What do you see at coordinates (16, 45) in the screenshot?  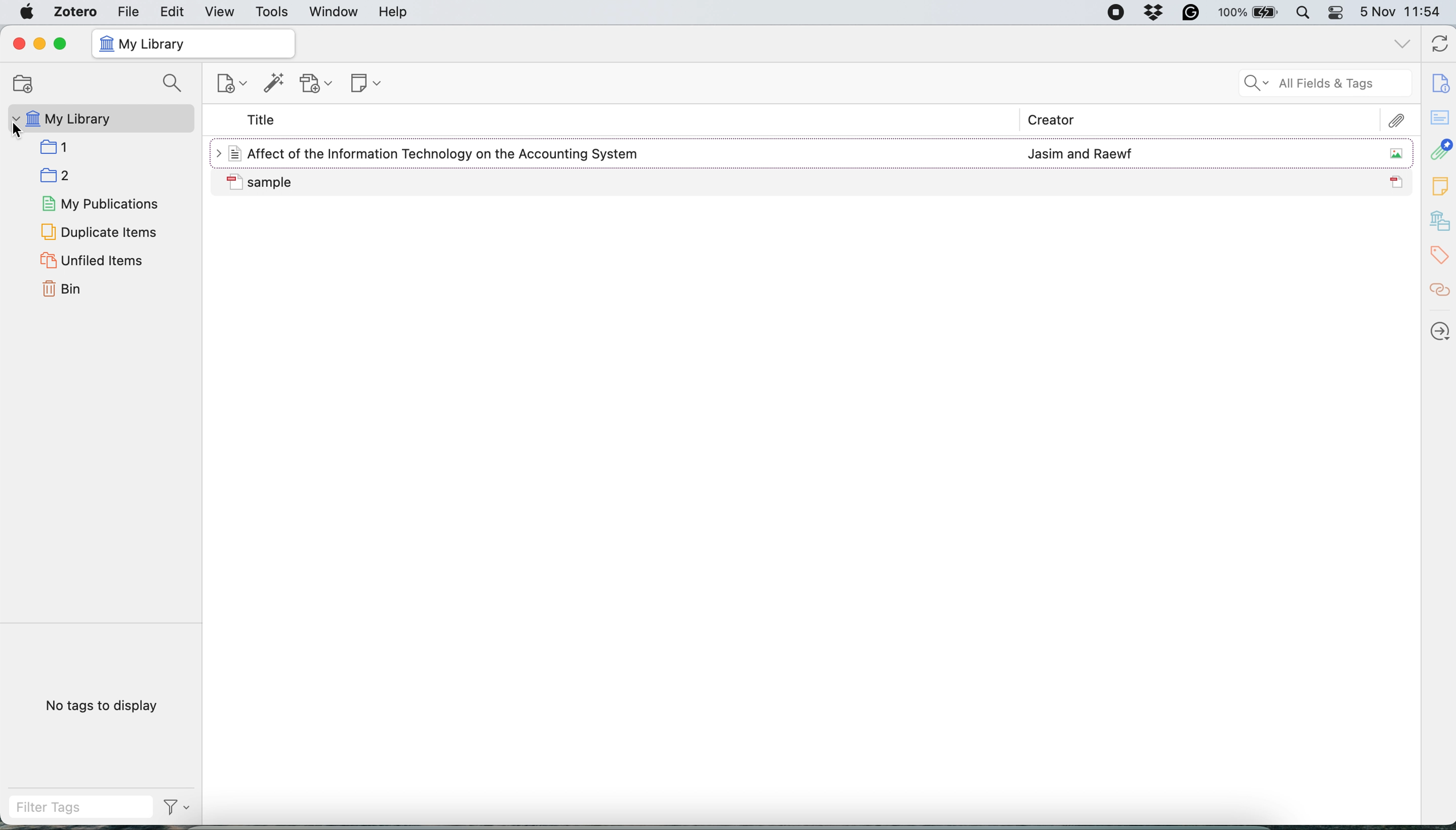 I see `close` at bounding box center [16, 45].